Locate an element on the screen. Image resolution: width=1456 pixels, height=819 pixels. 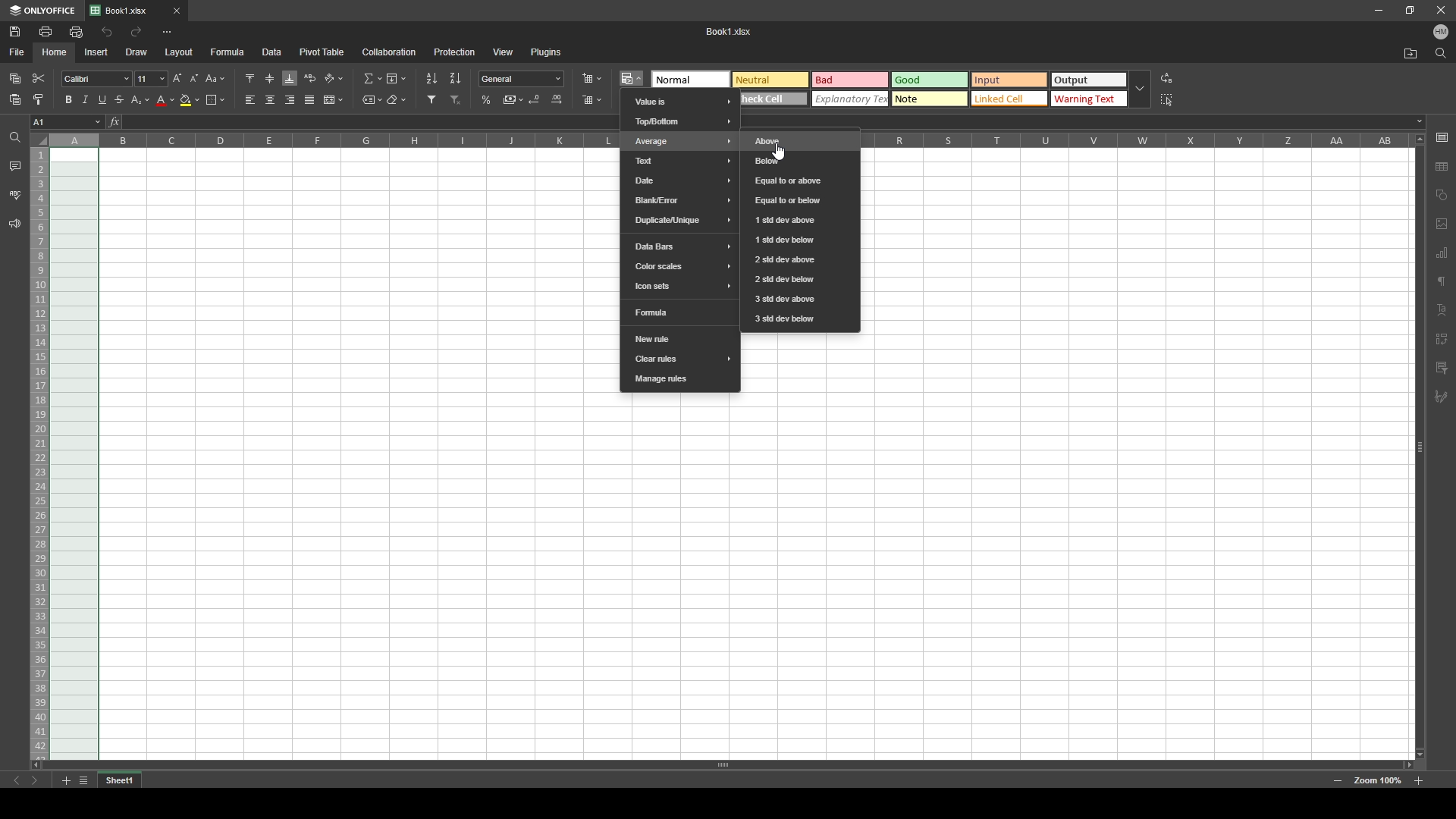
tab is located at coordinates (120, 781).